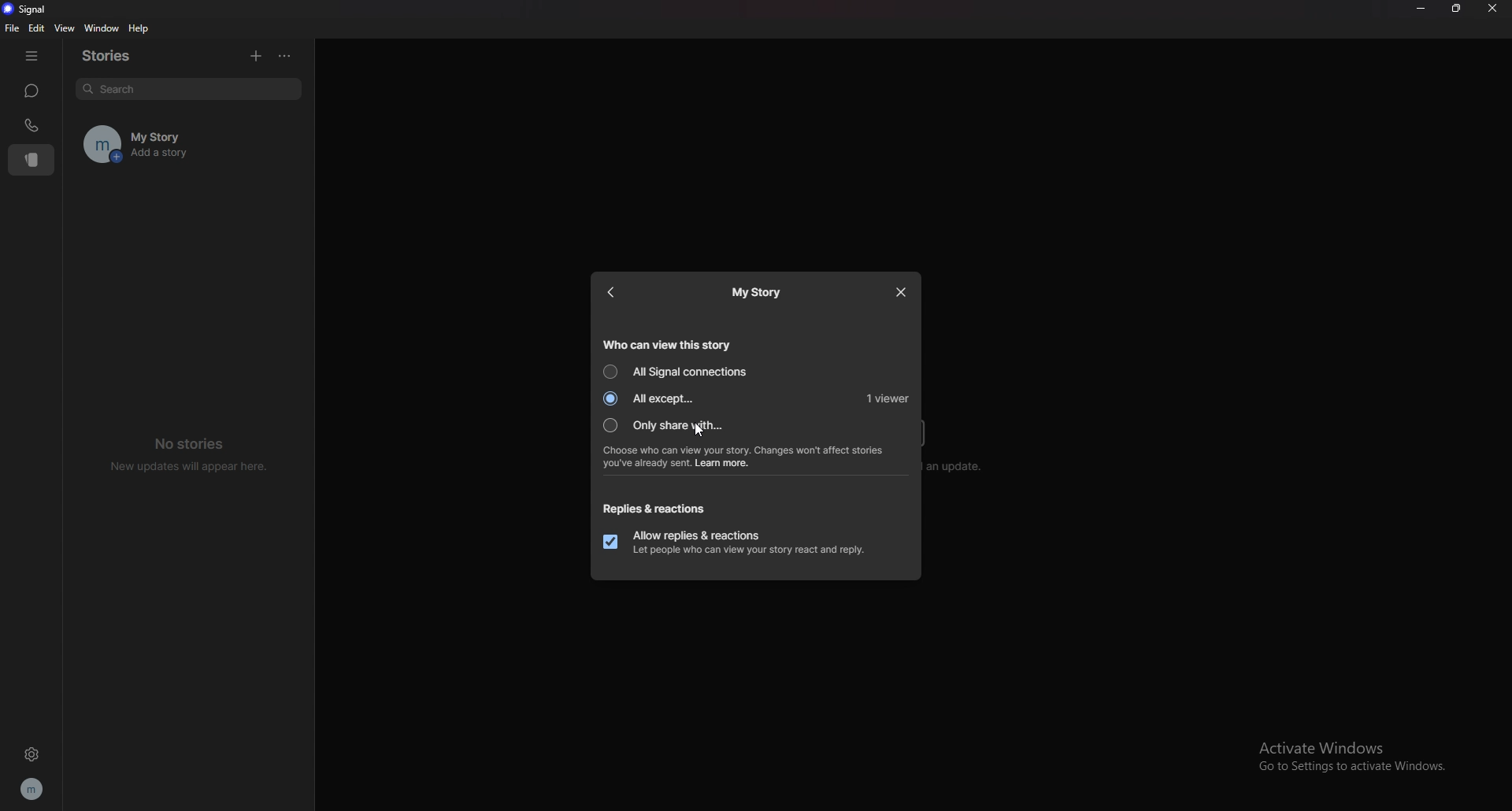  I want to click on profile, so click(33, 787).